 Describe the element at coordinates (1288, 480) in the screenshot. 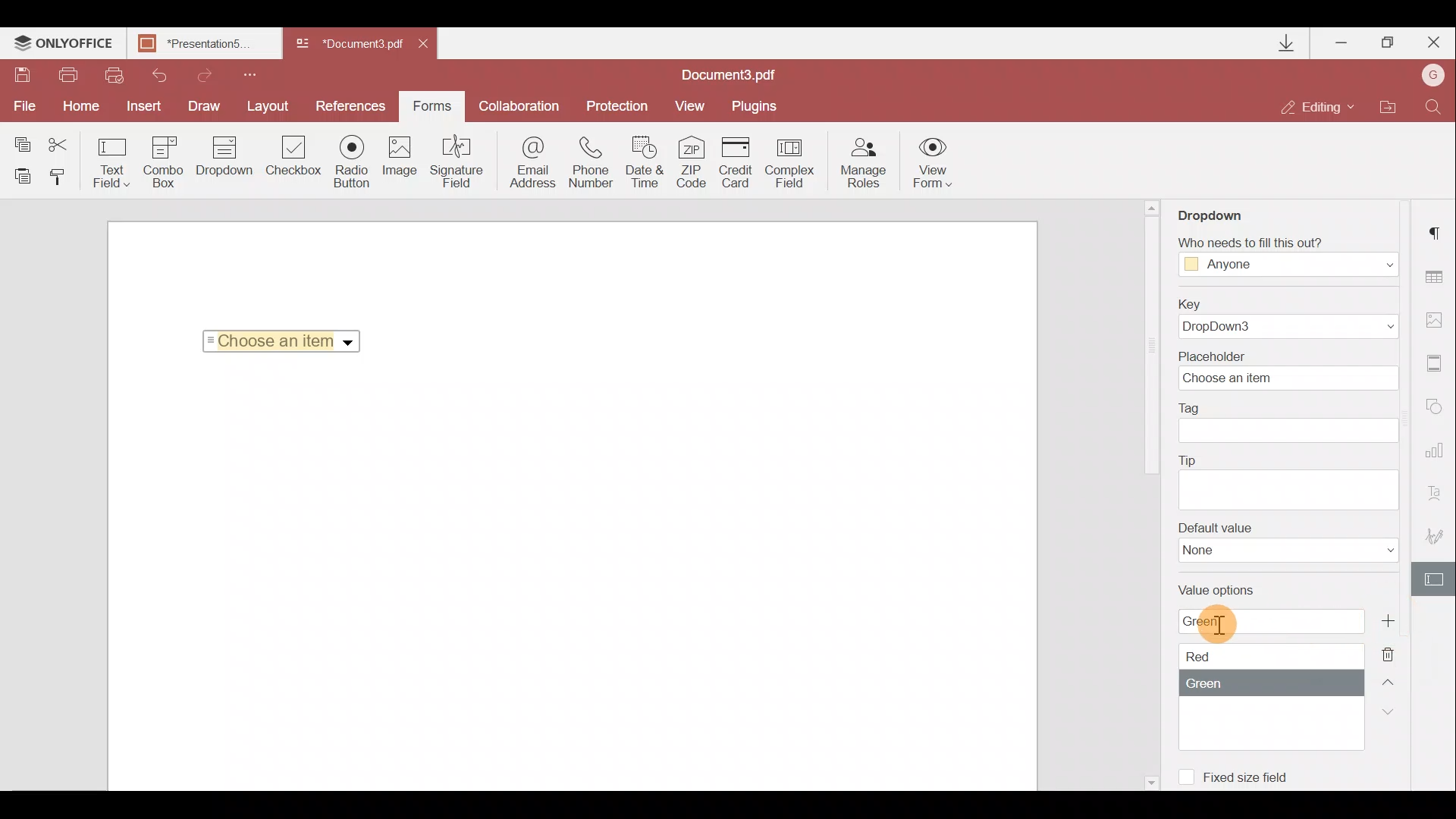

I see `Tip` at that location.